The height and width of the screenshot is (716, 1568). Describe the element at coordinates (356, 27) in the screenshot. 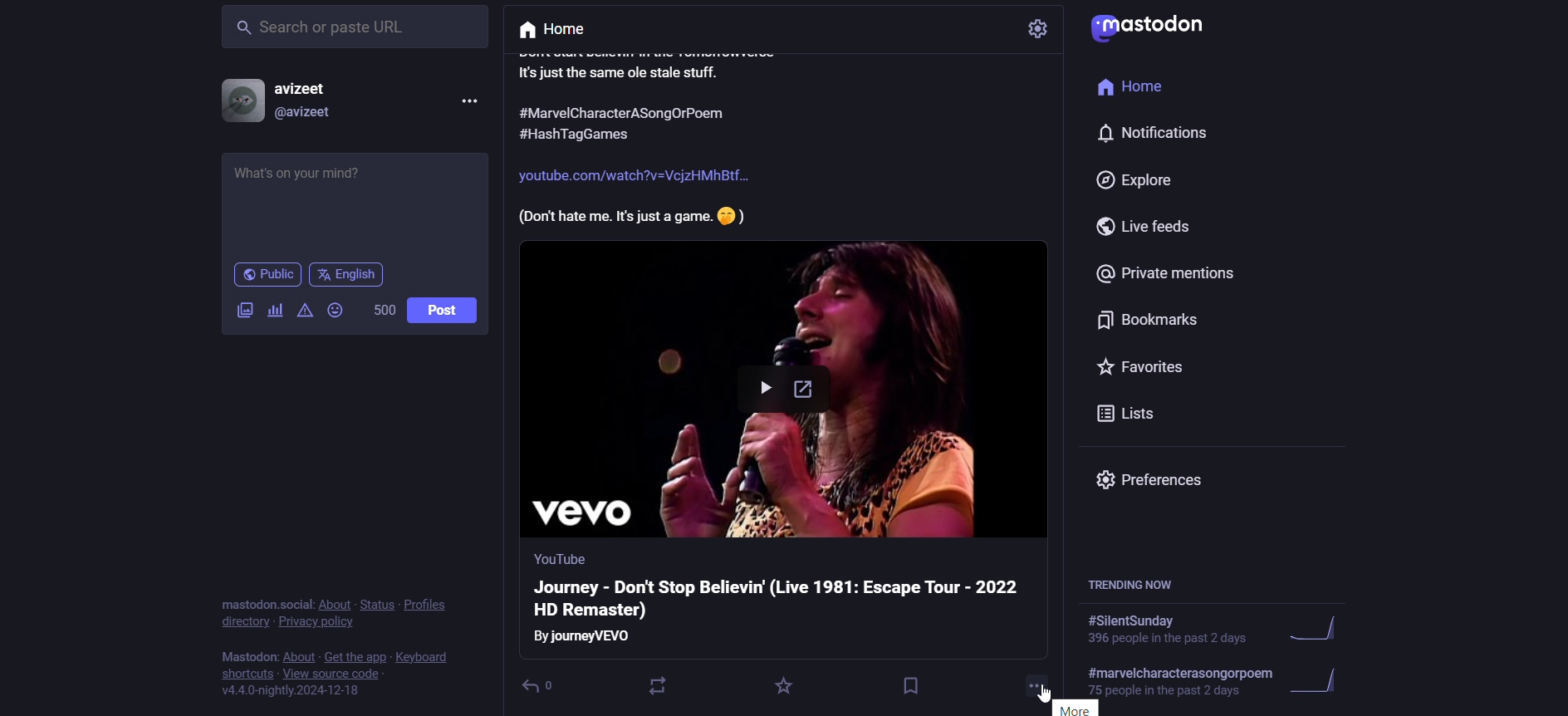

I see `search` at that location.